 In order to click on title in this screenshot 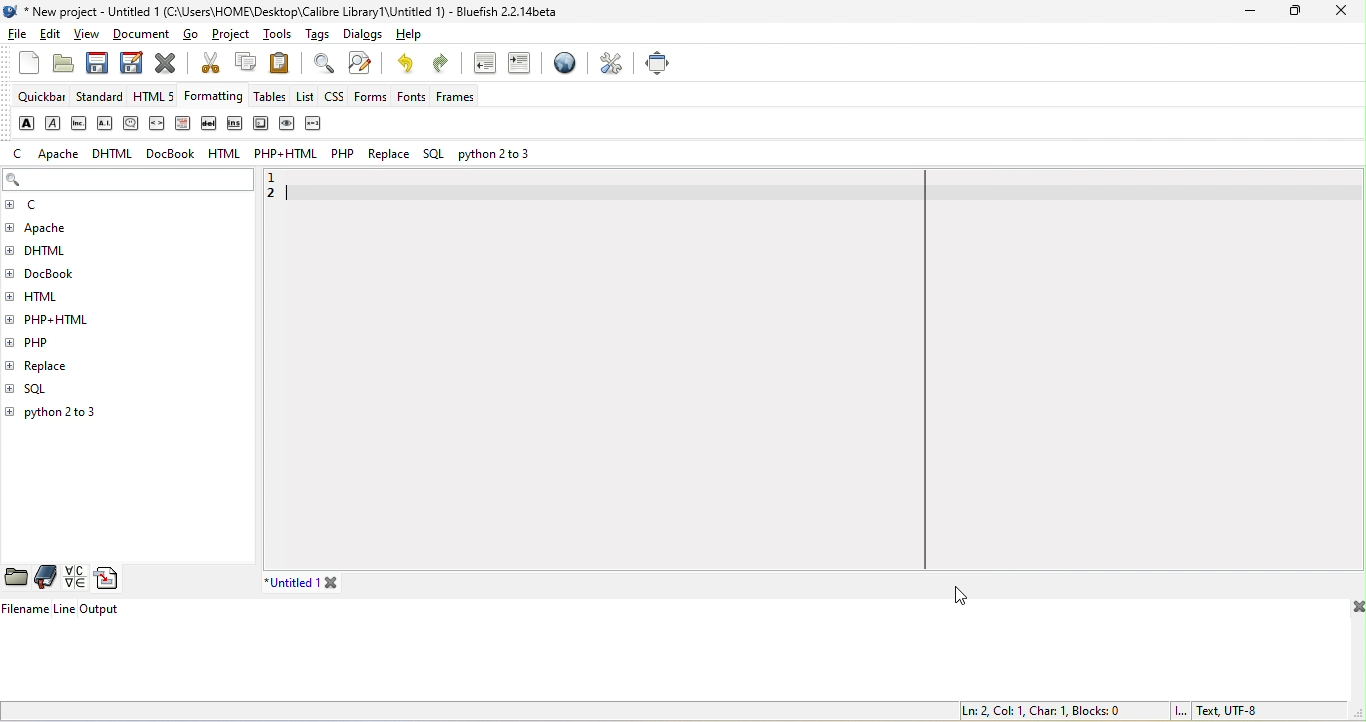, I will do `click(282, 12)`.